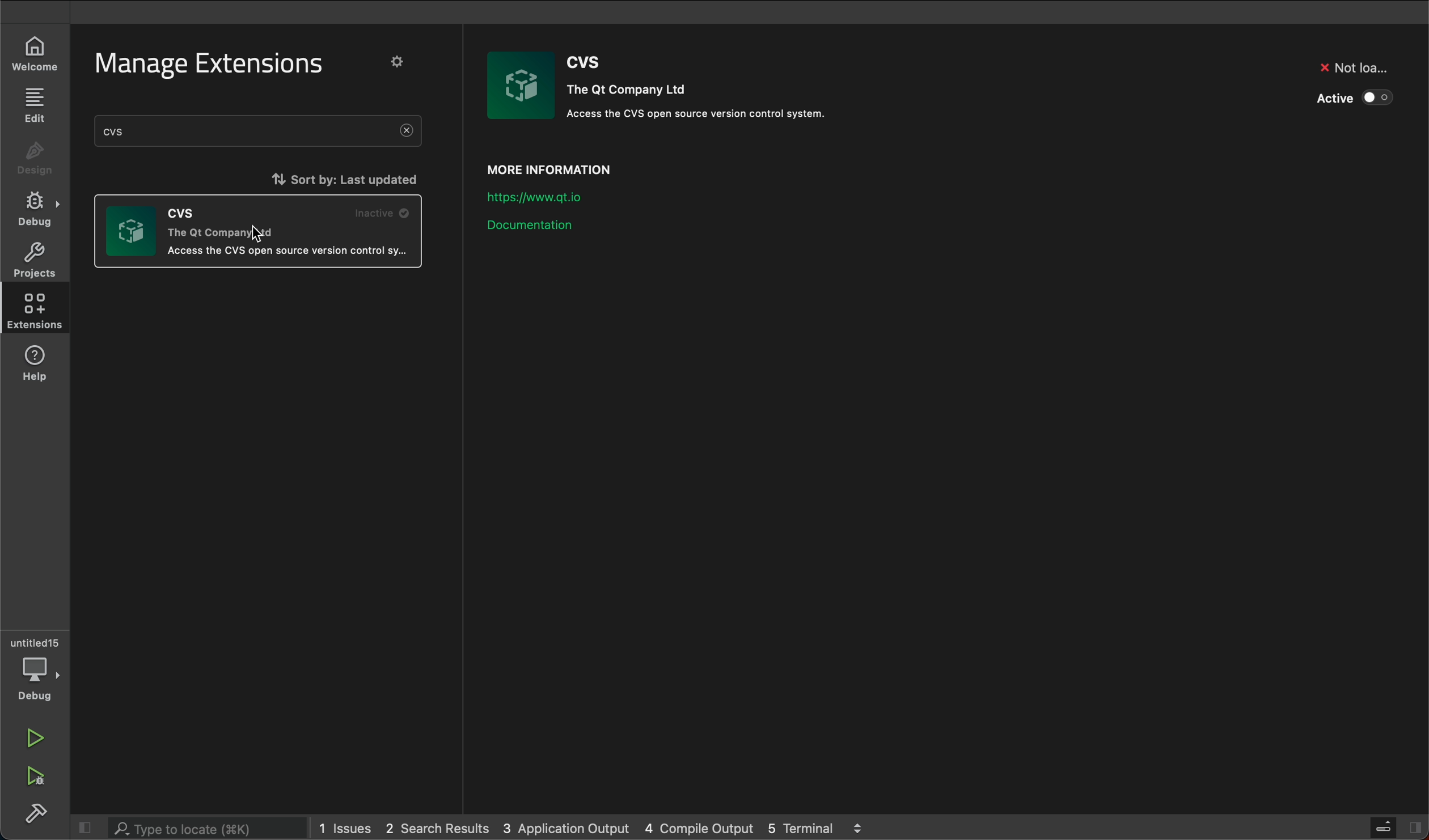 This screenshot has height=840, width=1429. Describe the element at coordinates (1396, 828) in the screenshot. I see `open sidebar` at that location.